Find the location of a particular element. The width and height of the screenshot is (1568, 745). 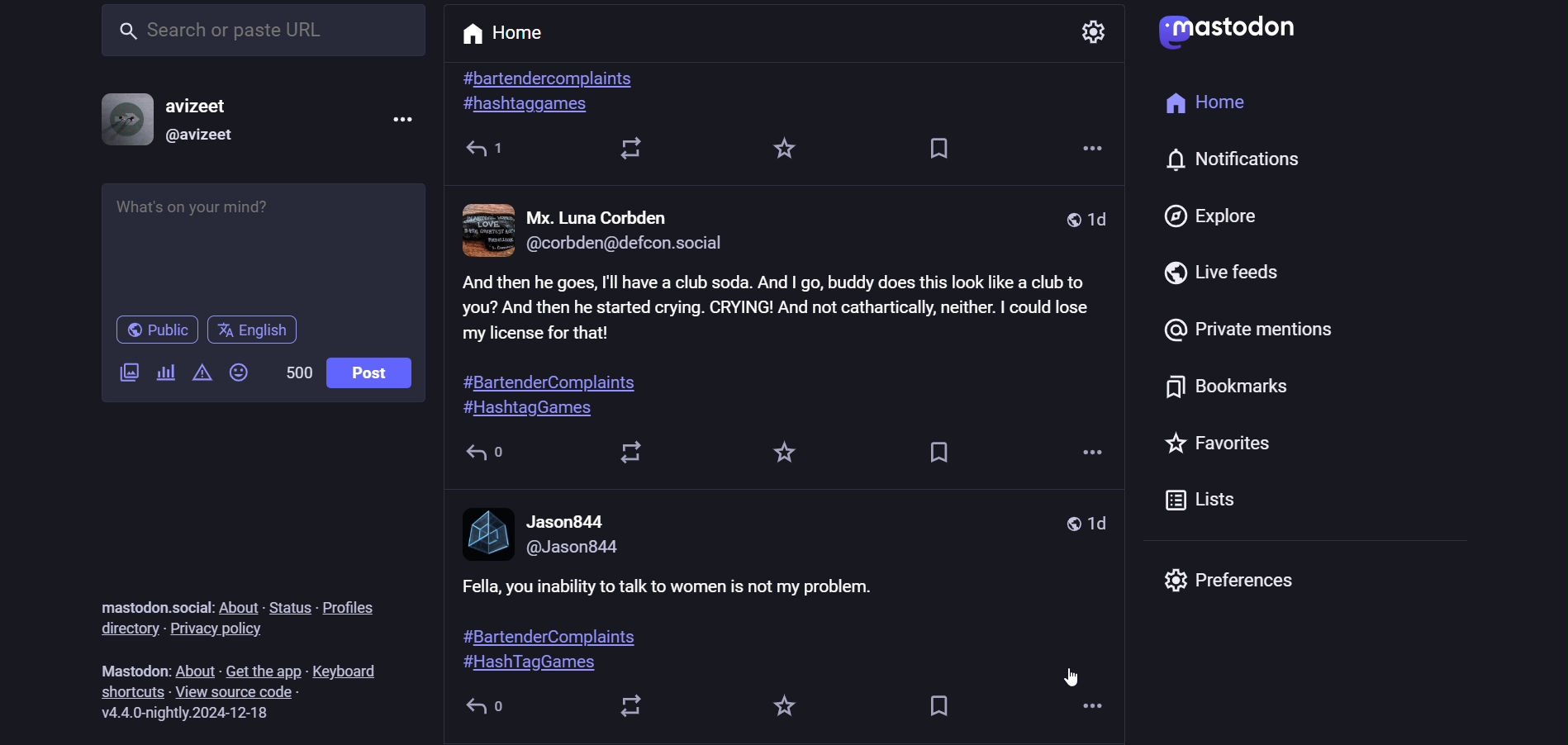

notification is located at coordinates (1258, 163).